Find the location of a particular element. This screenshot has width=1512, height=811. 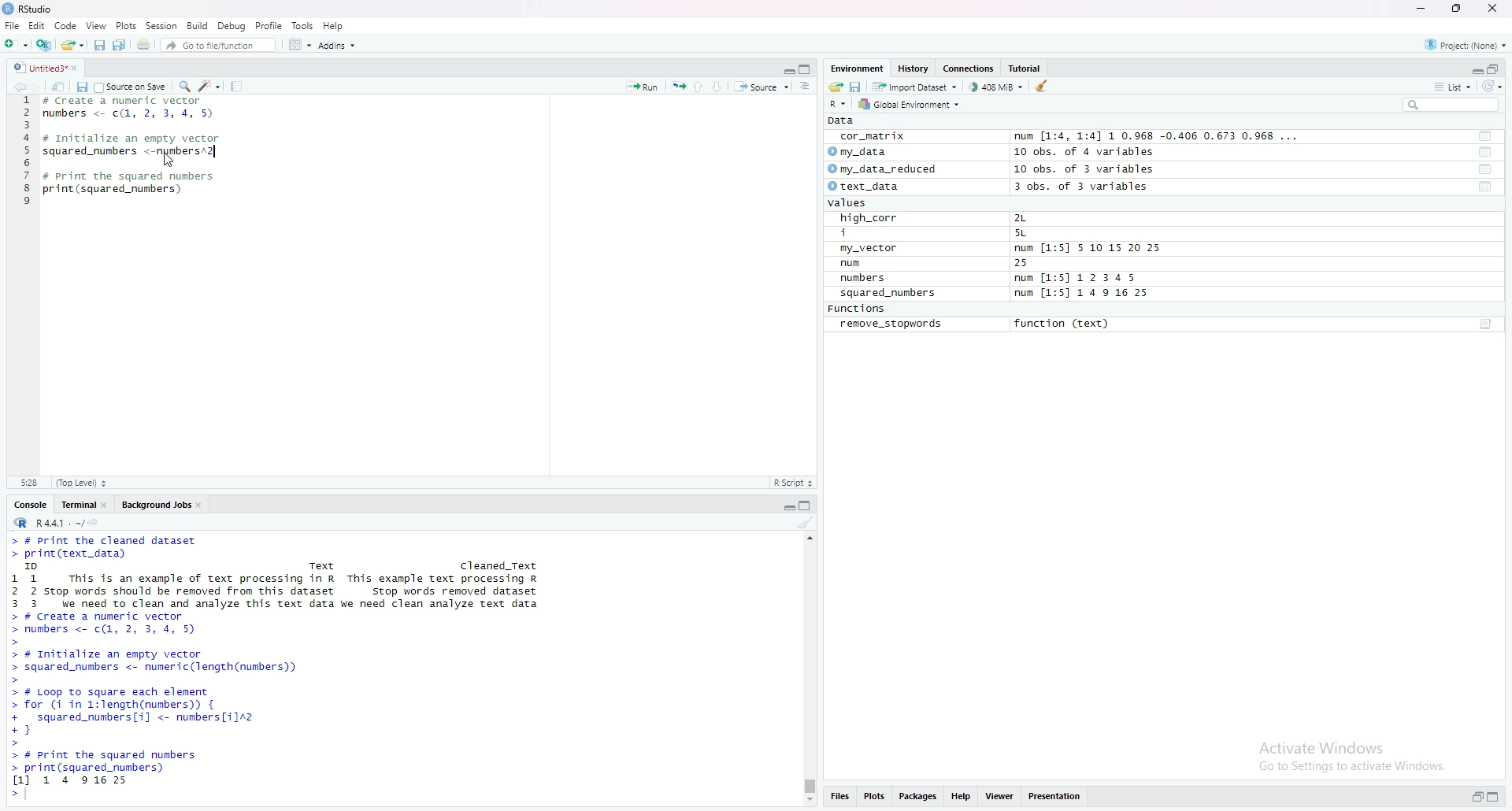

5L is located at coordinates (1024, 234).